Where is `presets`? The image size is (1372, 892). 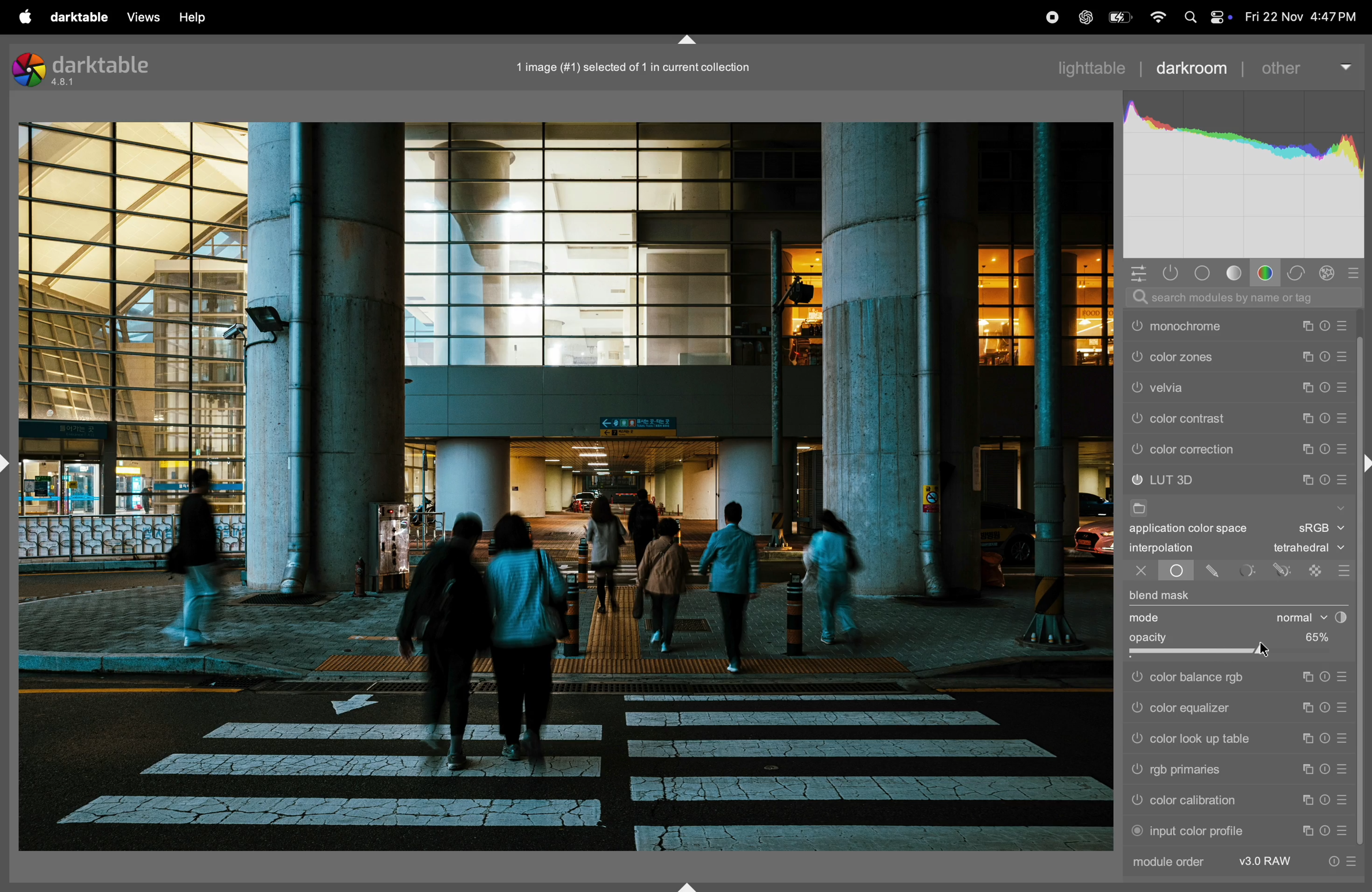 presets is located at coordinates (1341, 800).